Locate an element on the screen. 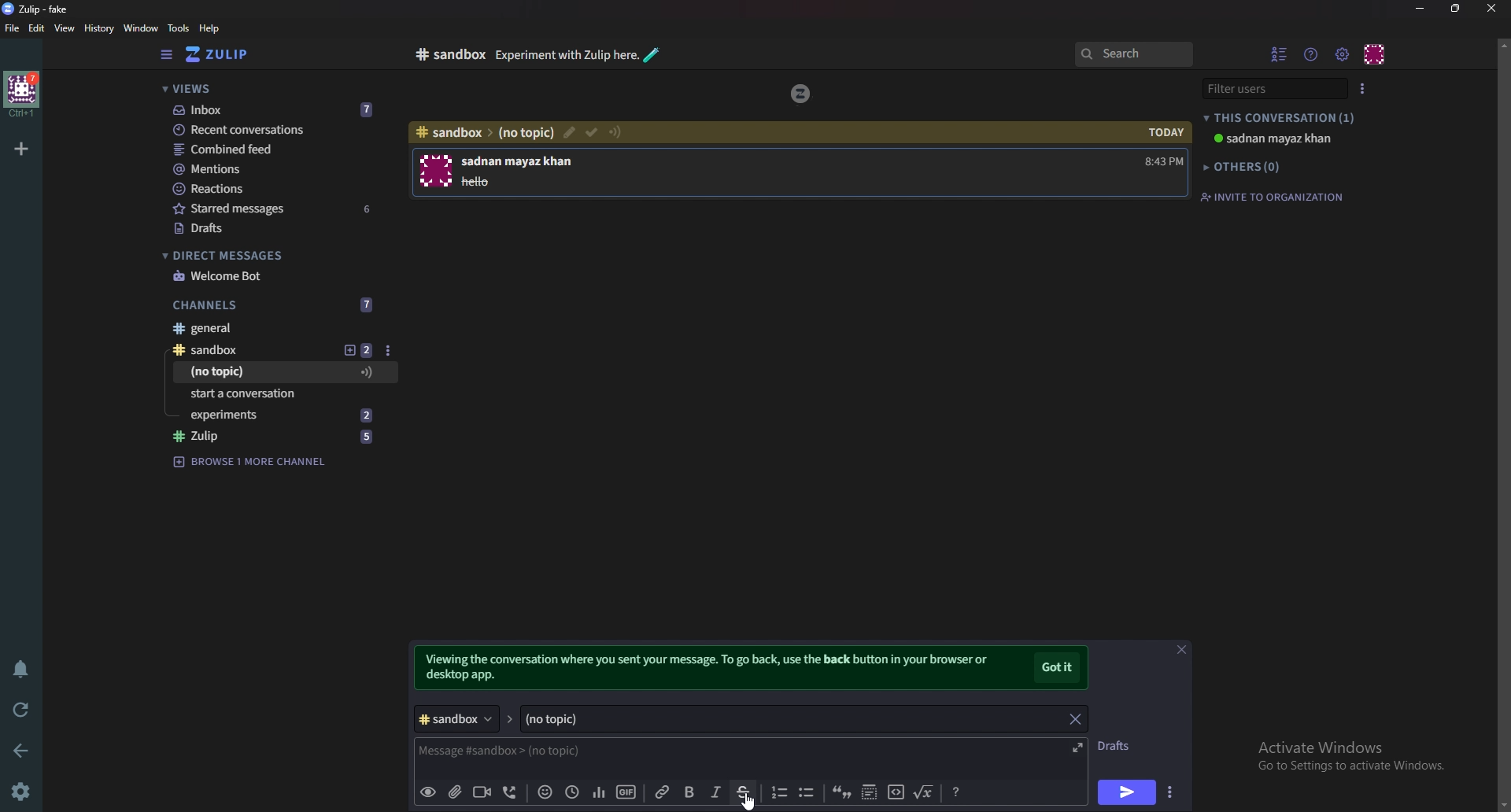  others is located at coordinates (1239, 167).